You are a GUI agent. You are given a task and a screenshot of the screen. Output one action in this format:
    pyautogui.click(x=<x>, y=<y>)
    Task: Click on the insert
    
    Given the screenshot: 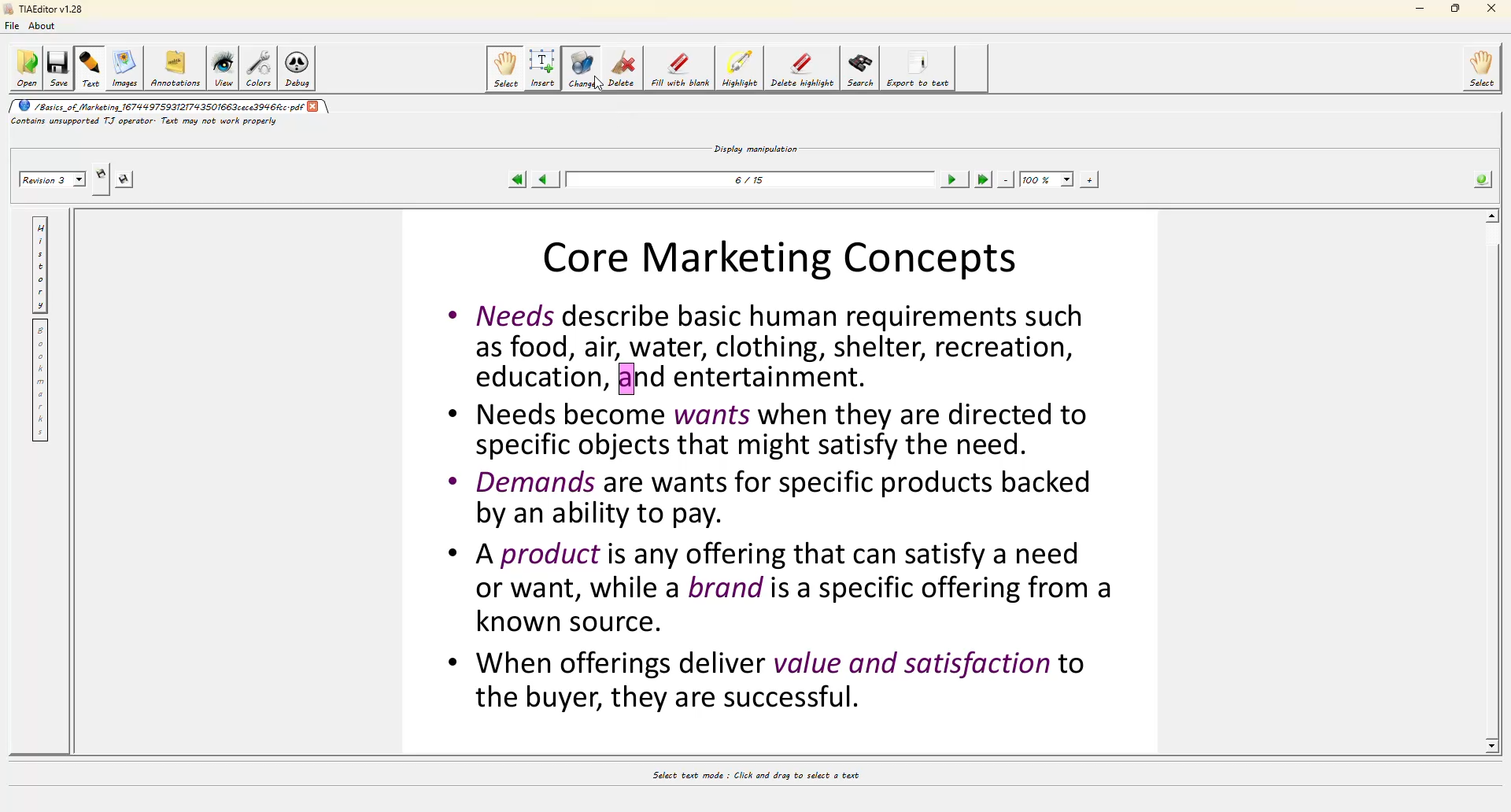 What is the action you would take?
    pyautogui.click(x=543, y=68)
    